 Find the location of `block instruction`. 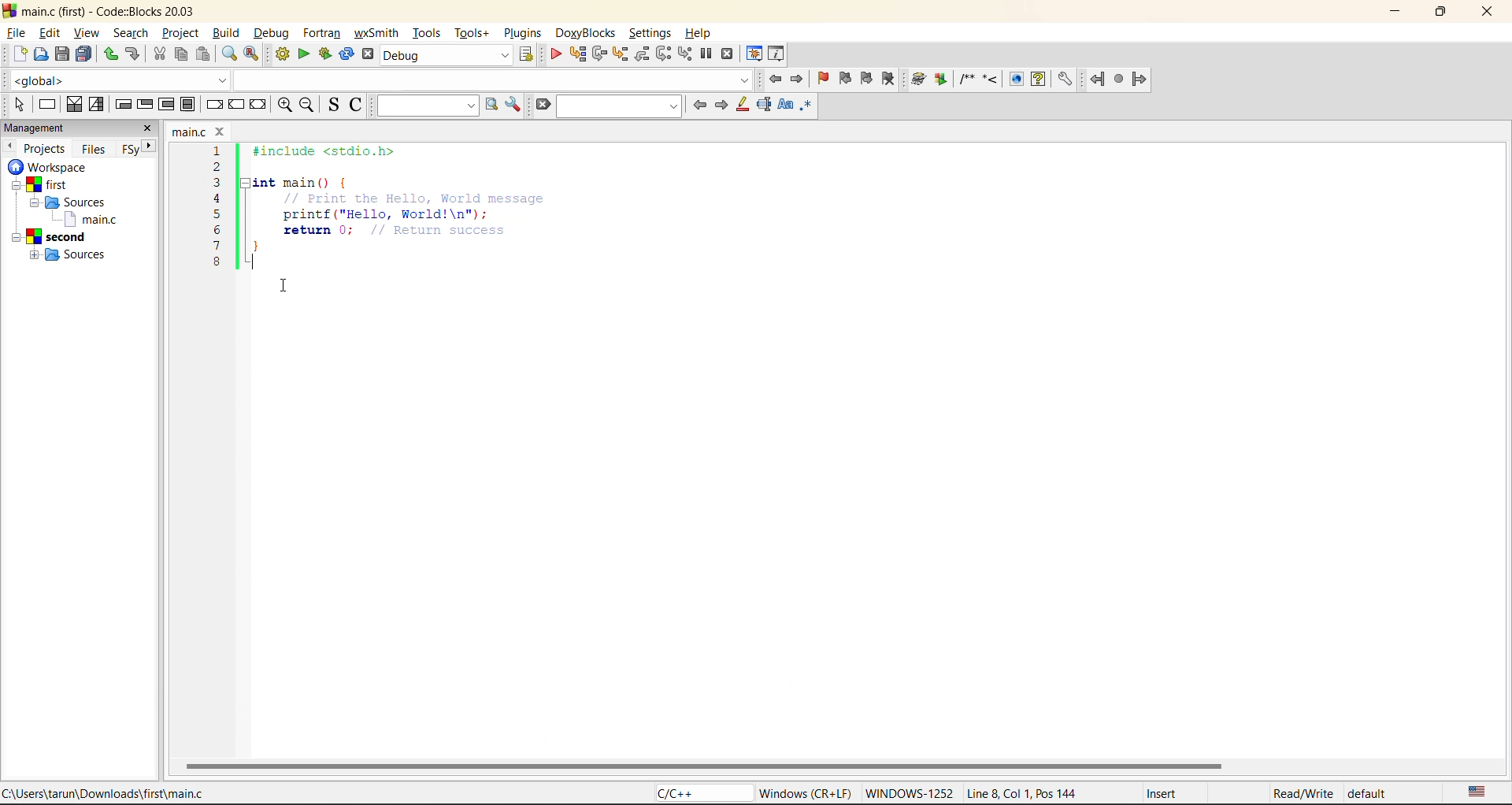

block instruction is located at coordinates (188, 104).